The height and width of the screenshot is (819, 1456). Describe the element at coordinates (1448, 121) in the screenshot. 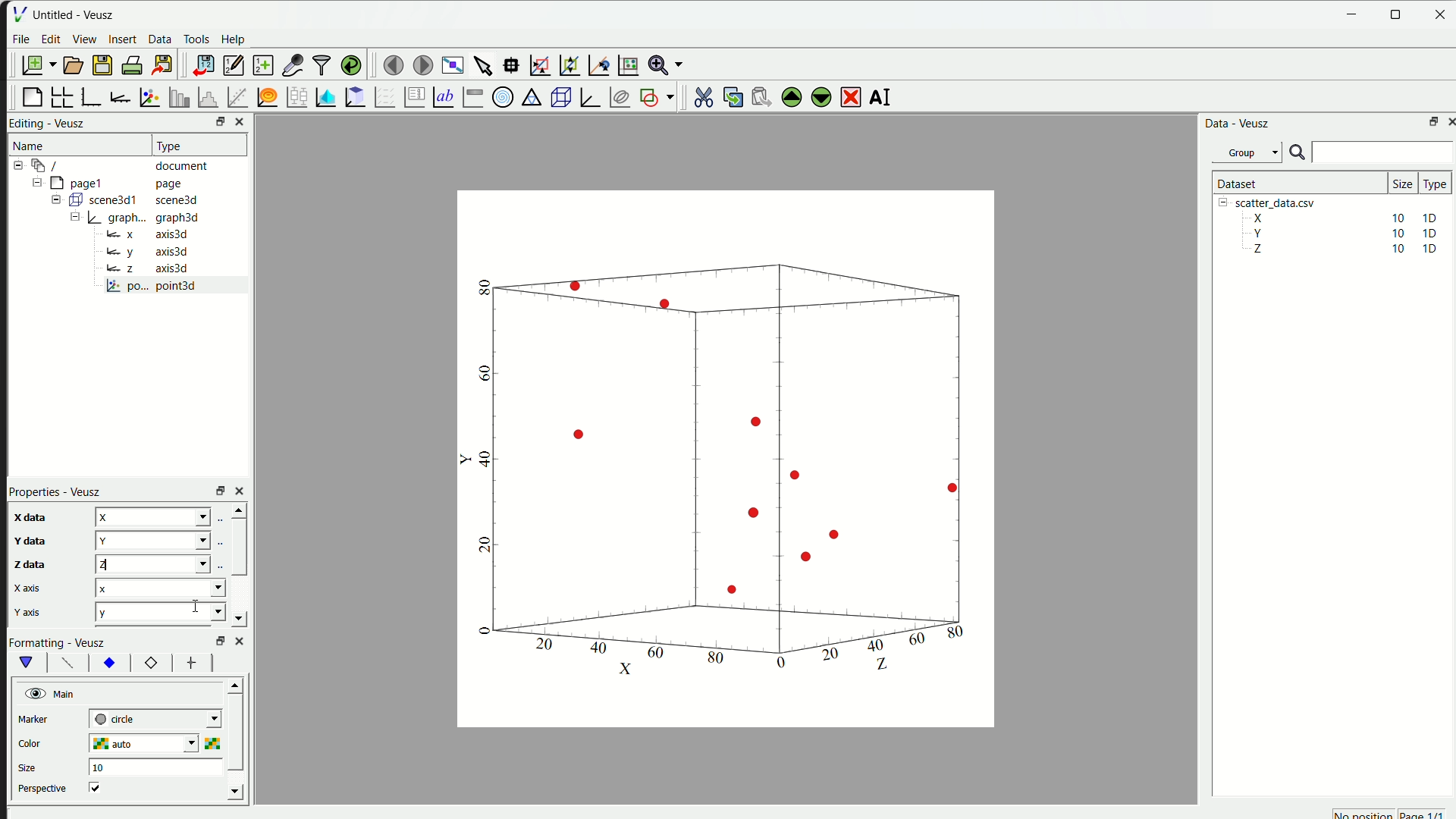

I see `close` at that location.